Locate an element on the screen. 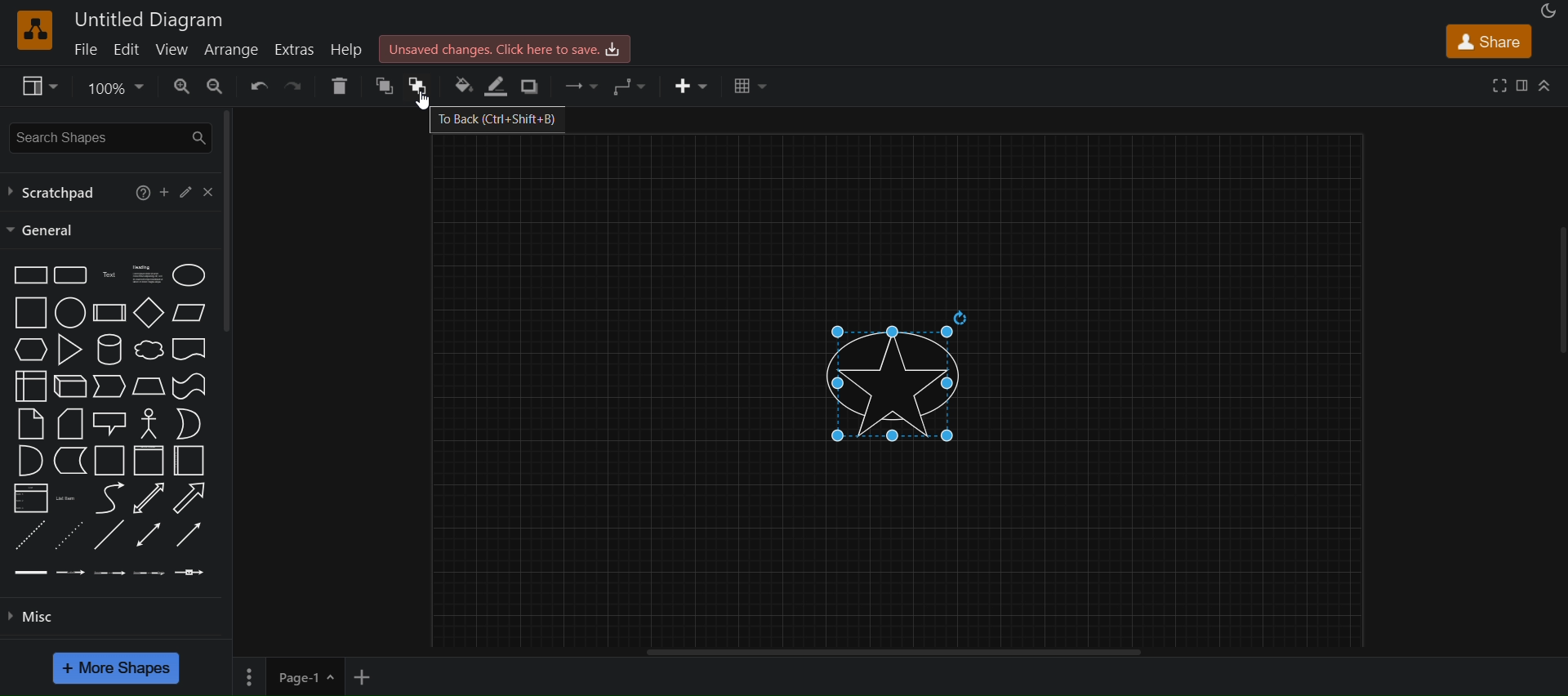 This screenshot has width=1568, height=696. circle is located at coordinates (70, 313).